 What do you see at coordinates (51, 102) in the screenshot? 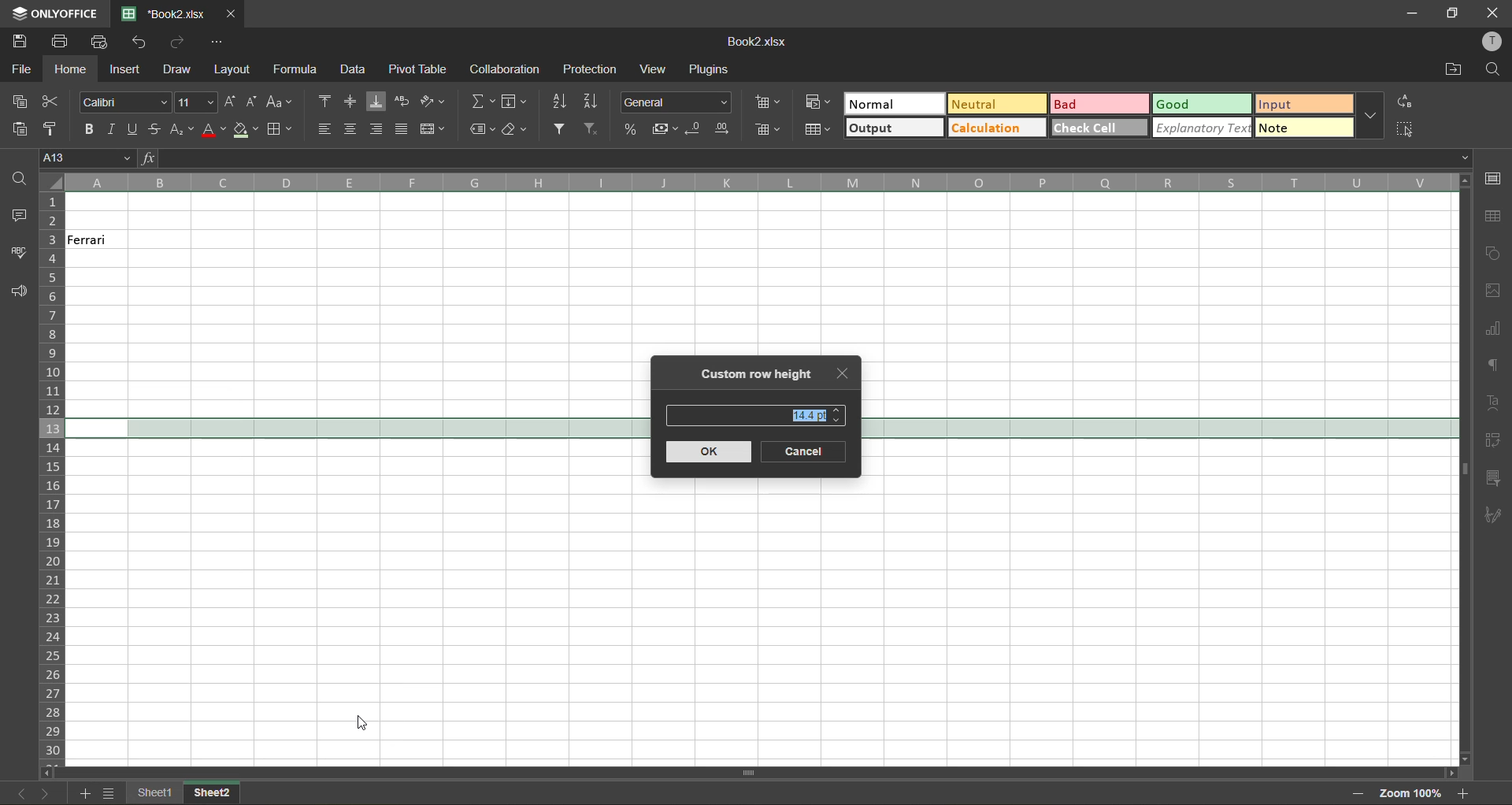
I see `cut` at bounding box center [51, 102].